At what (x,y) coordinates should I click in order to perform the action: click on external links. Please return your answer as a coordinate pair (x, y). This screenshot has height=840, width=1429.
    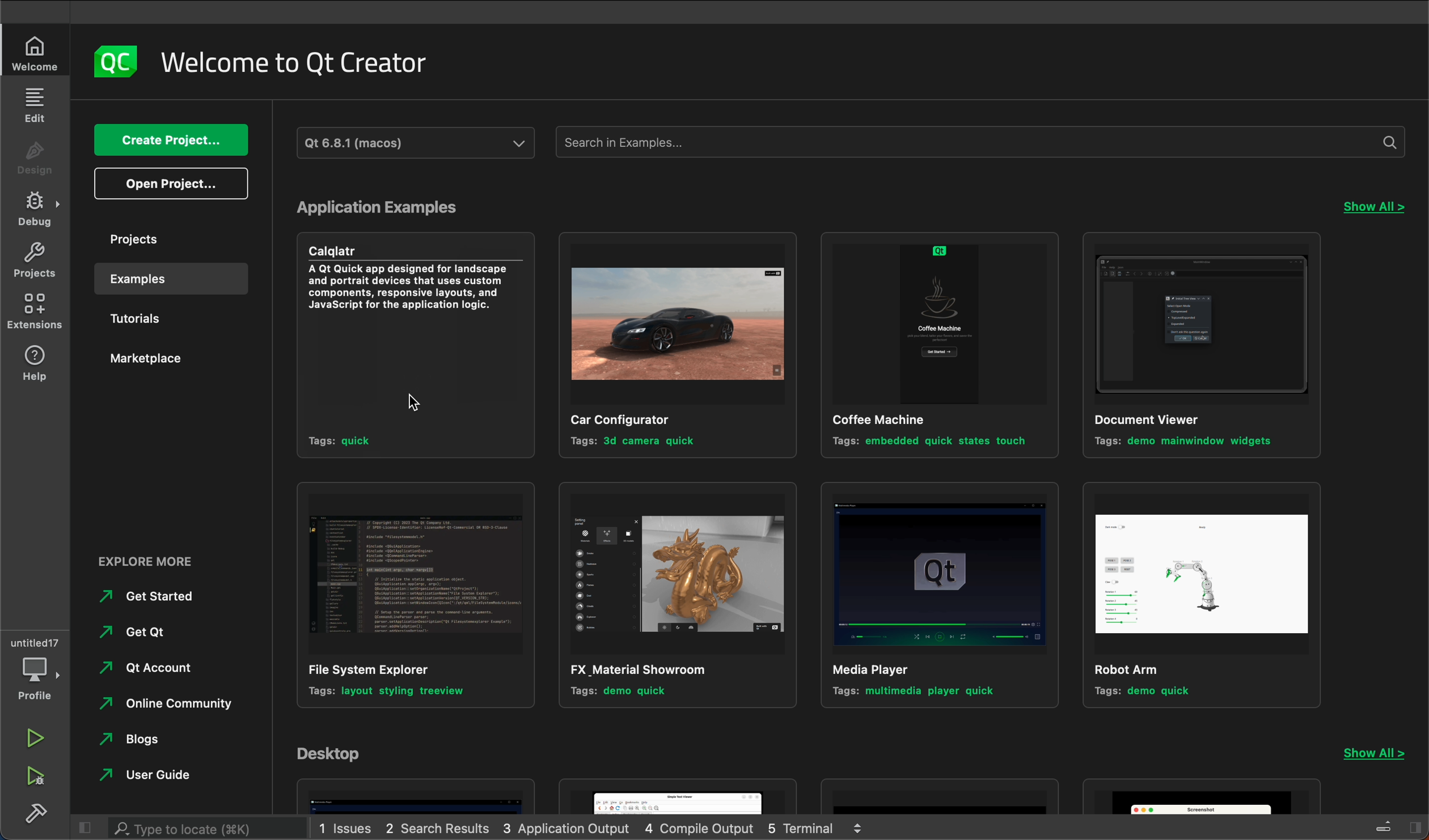
    Looking at the image, I should click on (178, 564).